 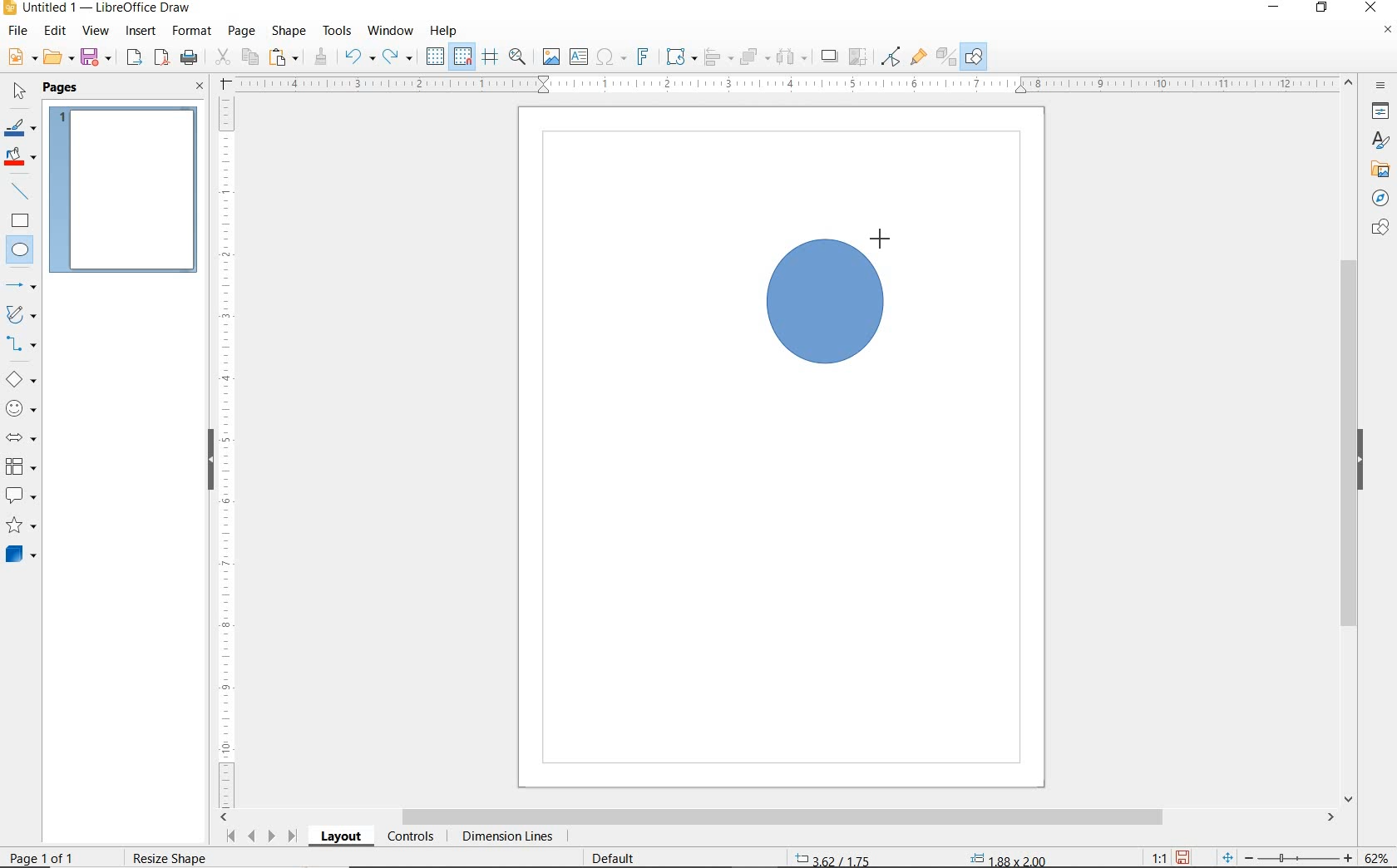 What do you see at coordinates (56, 31) in the screenshot?
I see `EDIT` at bounding box center [56, 31].